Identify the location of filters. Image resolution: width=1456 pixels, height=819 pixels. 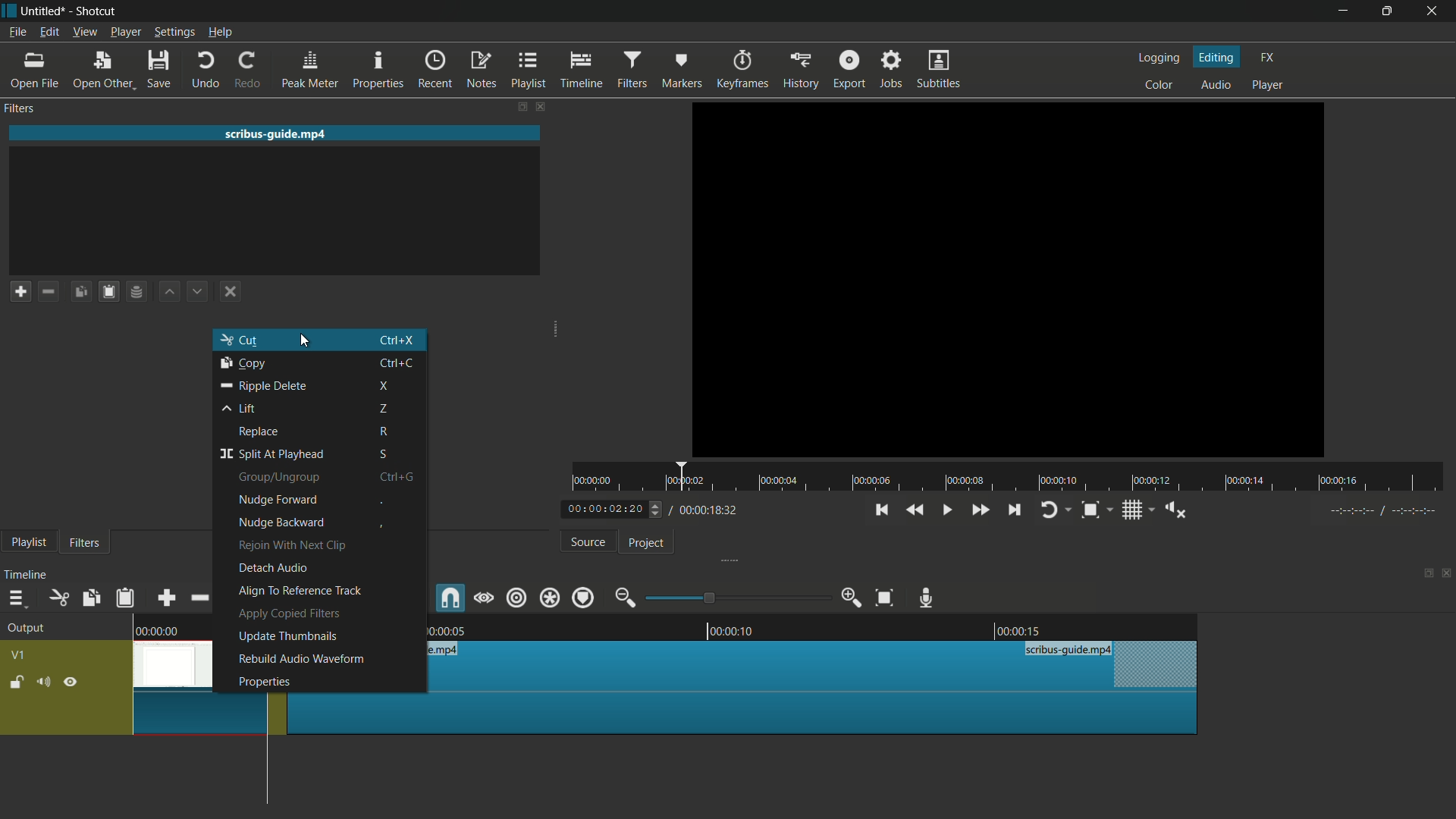
(634, 70).